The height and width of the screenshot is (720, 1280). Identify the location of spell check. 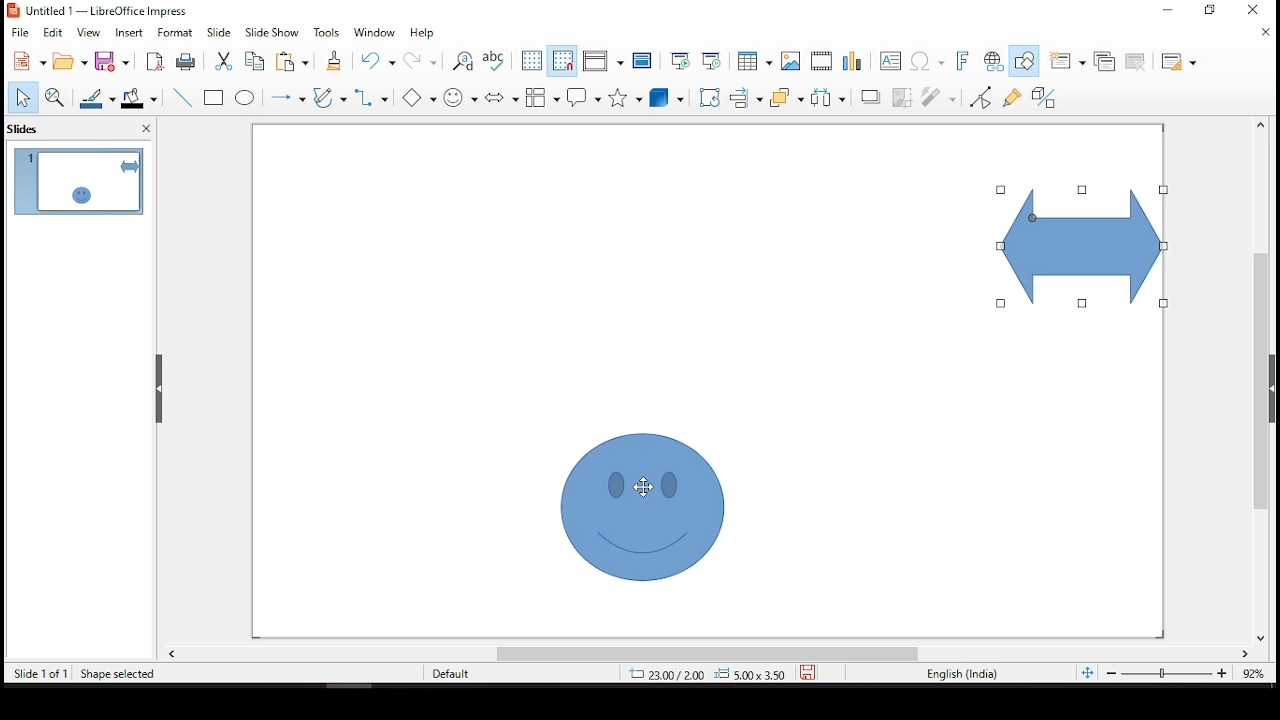
(494, 63).